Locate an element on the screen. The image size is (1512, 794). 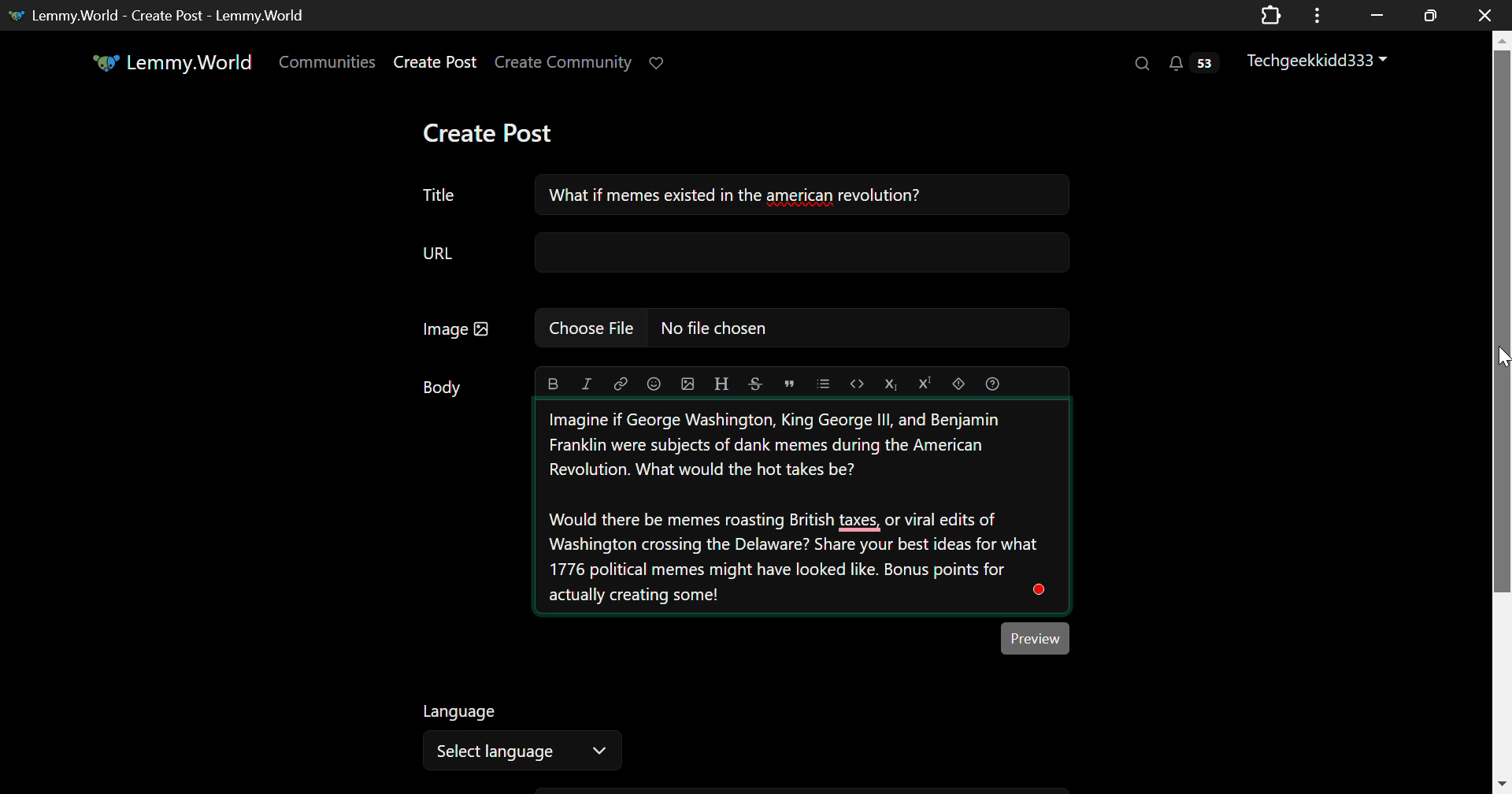
Body is located at coordinates (441, 386).